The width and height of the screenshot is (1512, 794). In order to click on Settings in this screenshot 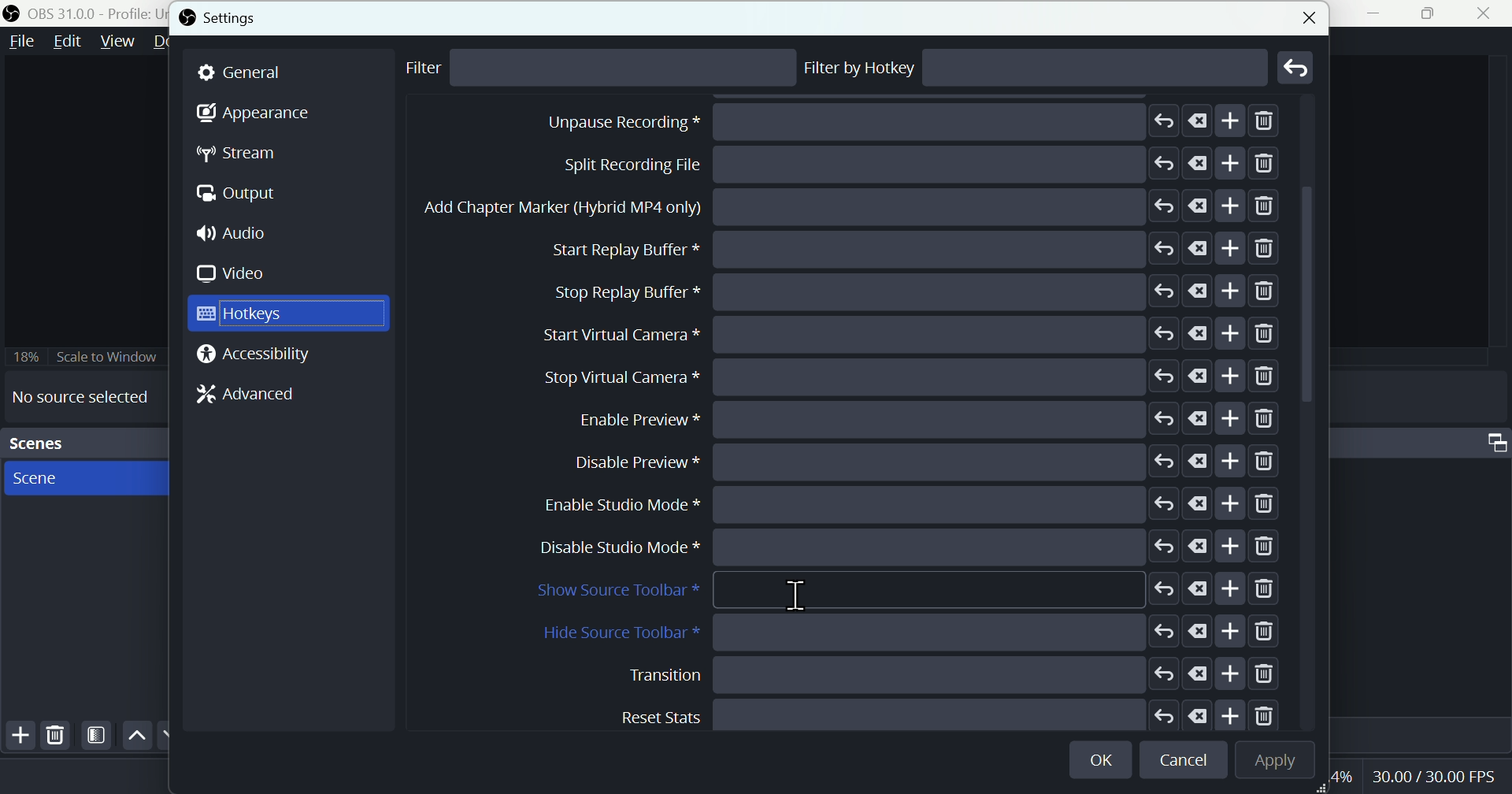, I will do `click(225, 18)`.